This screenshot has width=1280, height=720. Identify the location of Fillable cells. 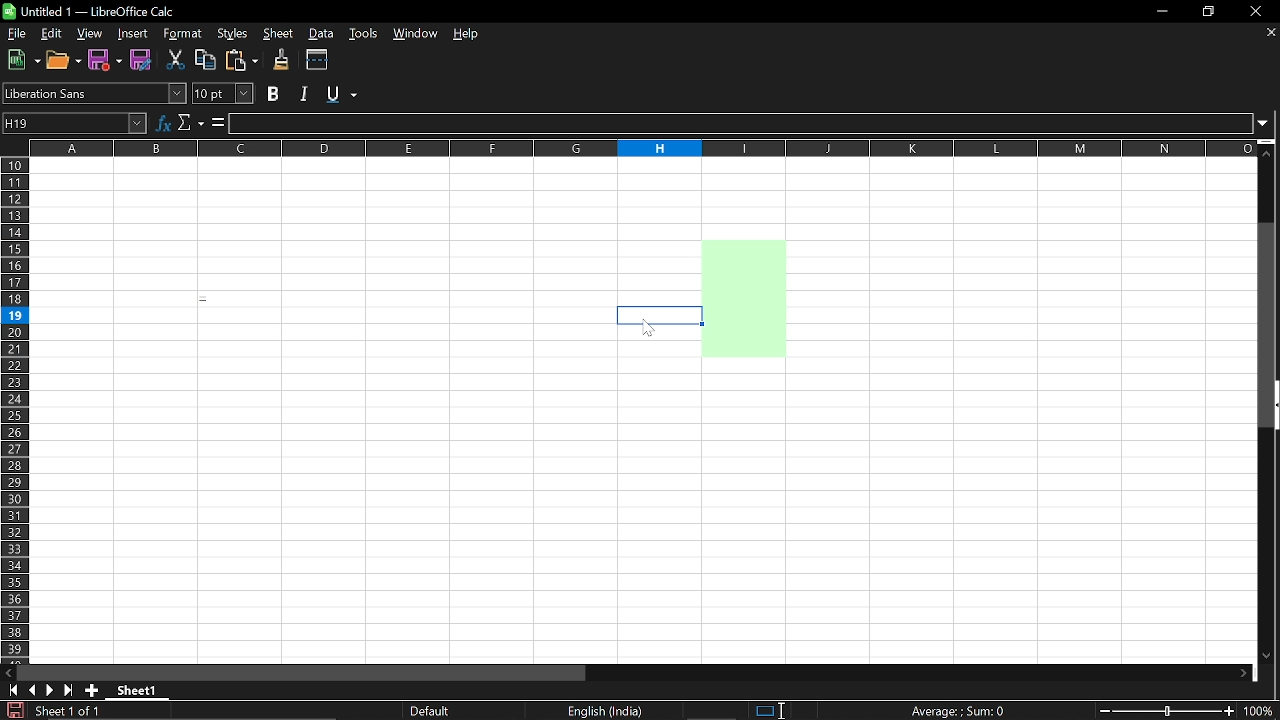
(324, 315).